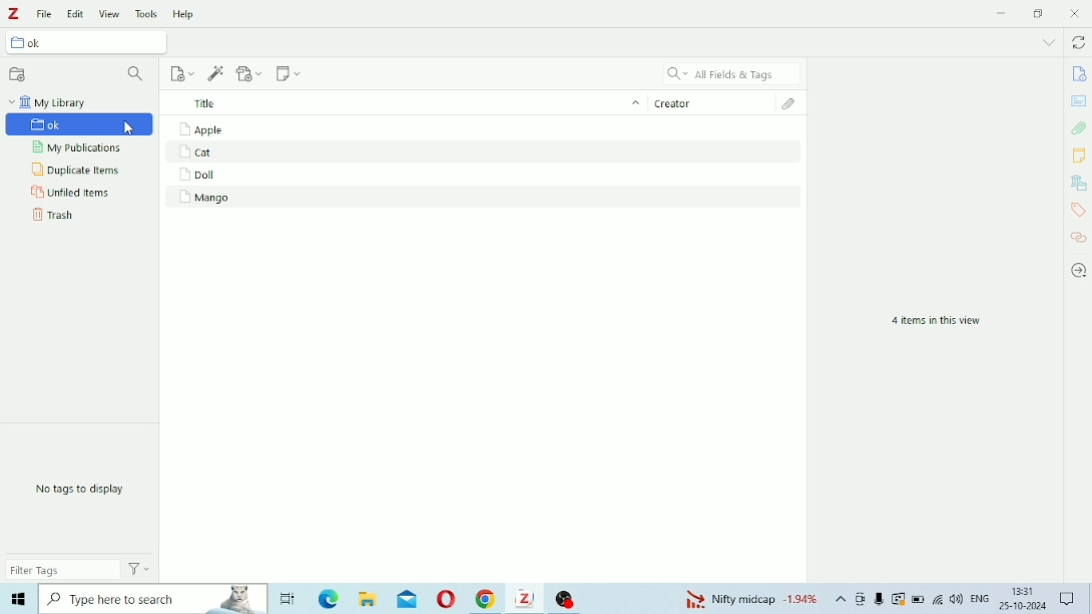  What do you see at coordinates (795, 104) in the screenshot?
I see `Attachments` at bounding box center [795, 104].